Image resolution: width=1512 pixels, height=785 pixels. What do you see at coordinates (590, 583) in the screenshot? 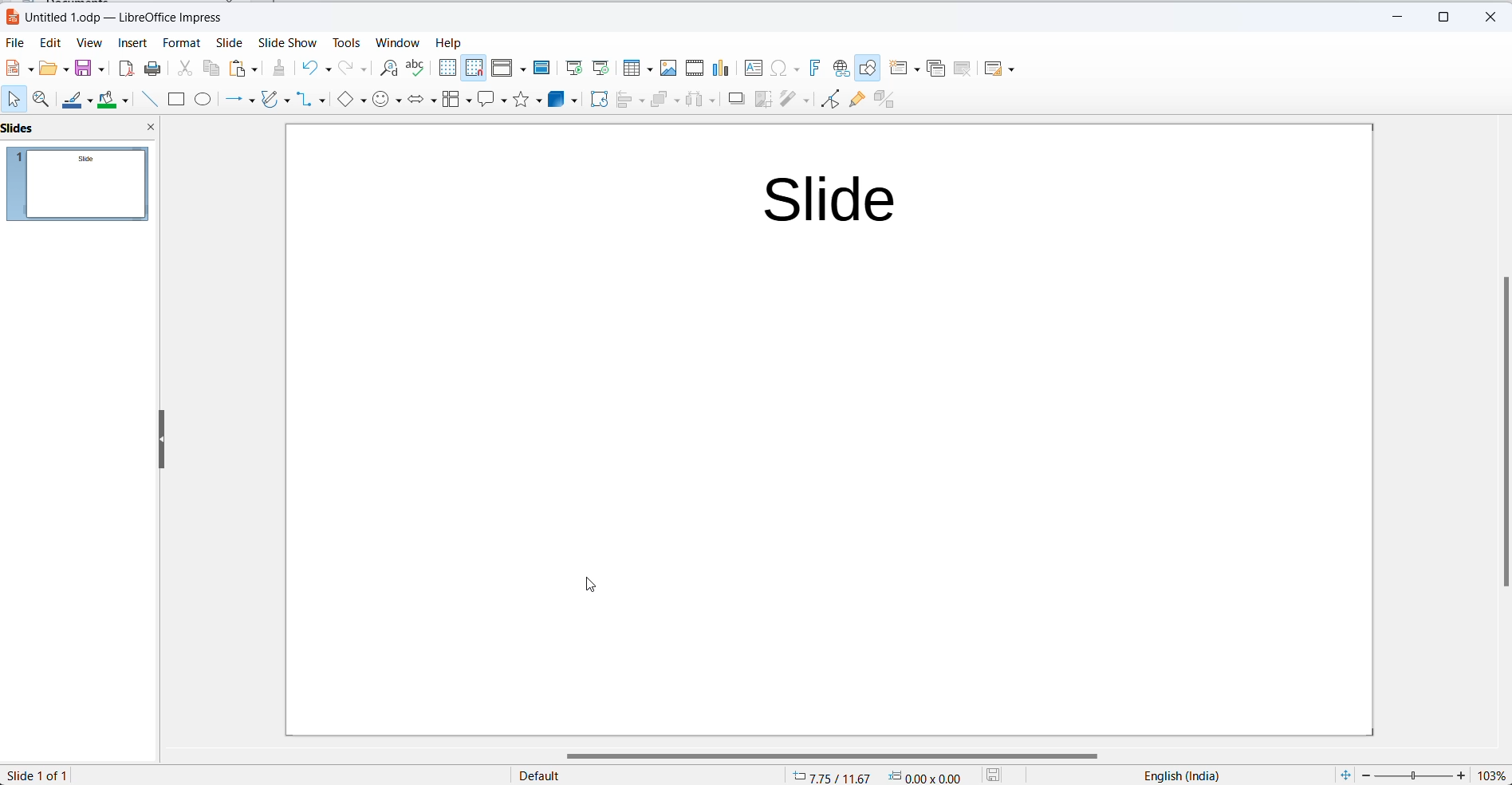
I see `CURSOR` at bounding box center [590, 583].